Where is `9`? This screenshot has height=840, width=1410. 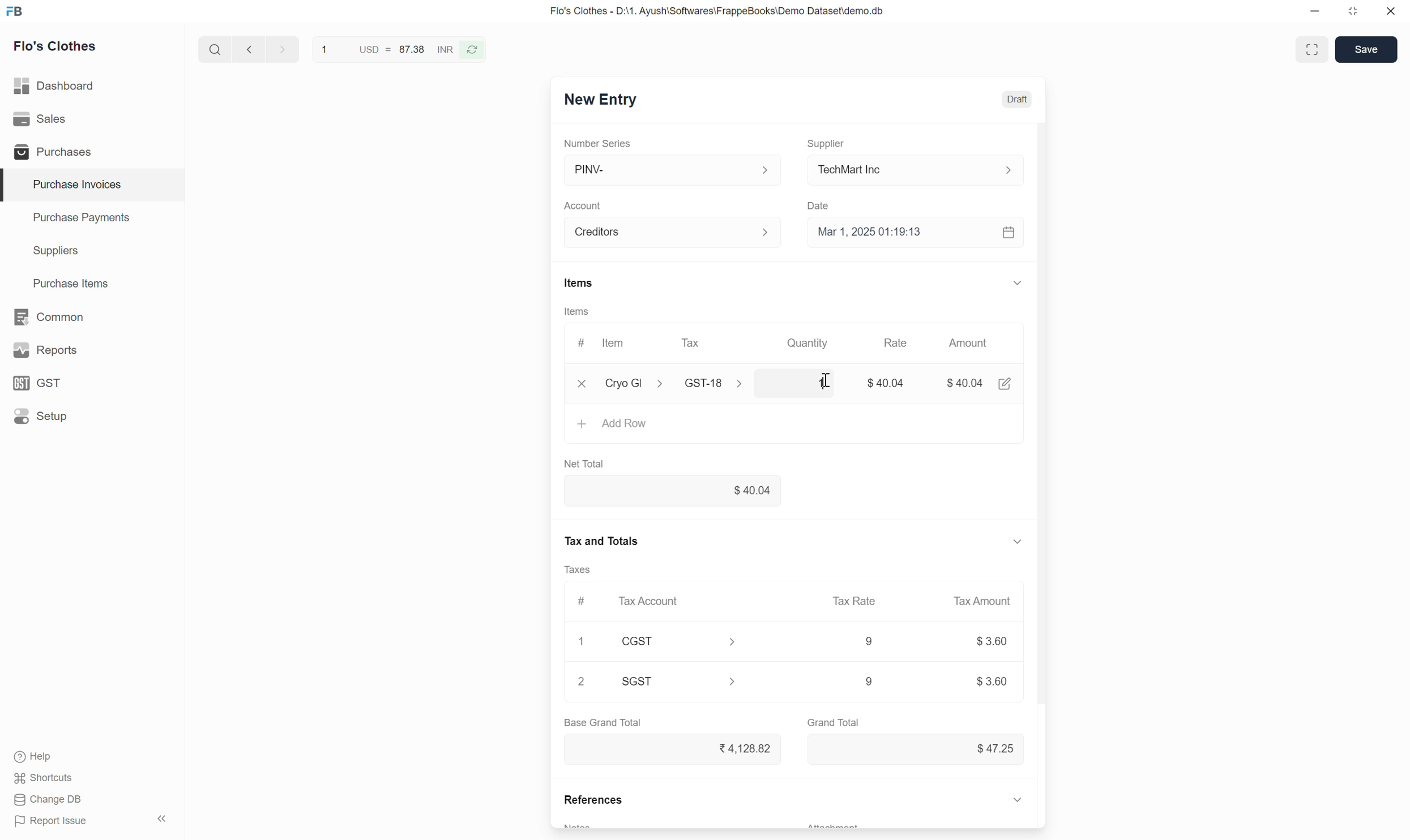
9 is located at coordinates (852, 682).